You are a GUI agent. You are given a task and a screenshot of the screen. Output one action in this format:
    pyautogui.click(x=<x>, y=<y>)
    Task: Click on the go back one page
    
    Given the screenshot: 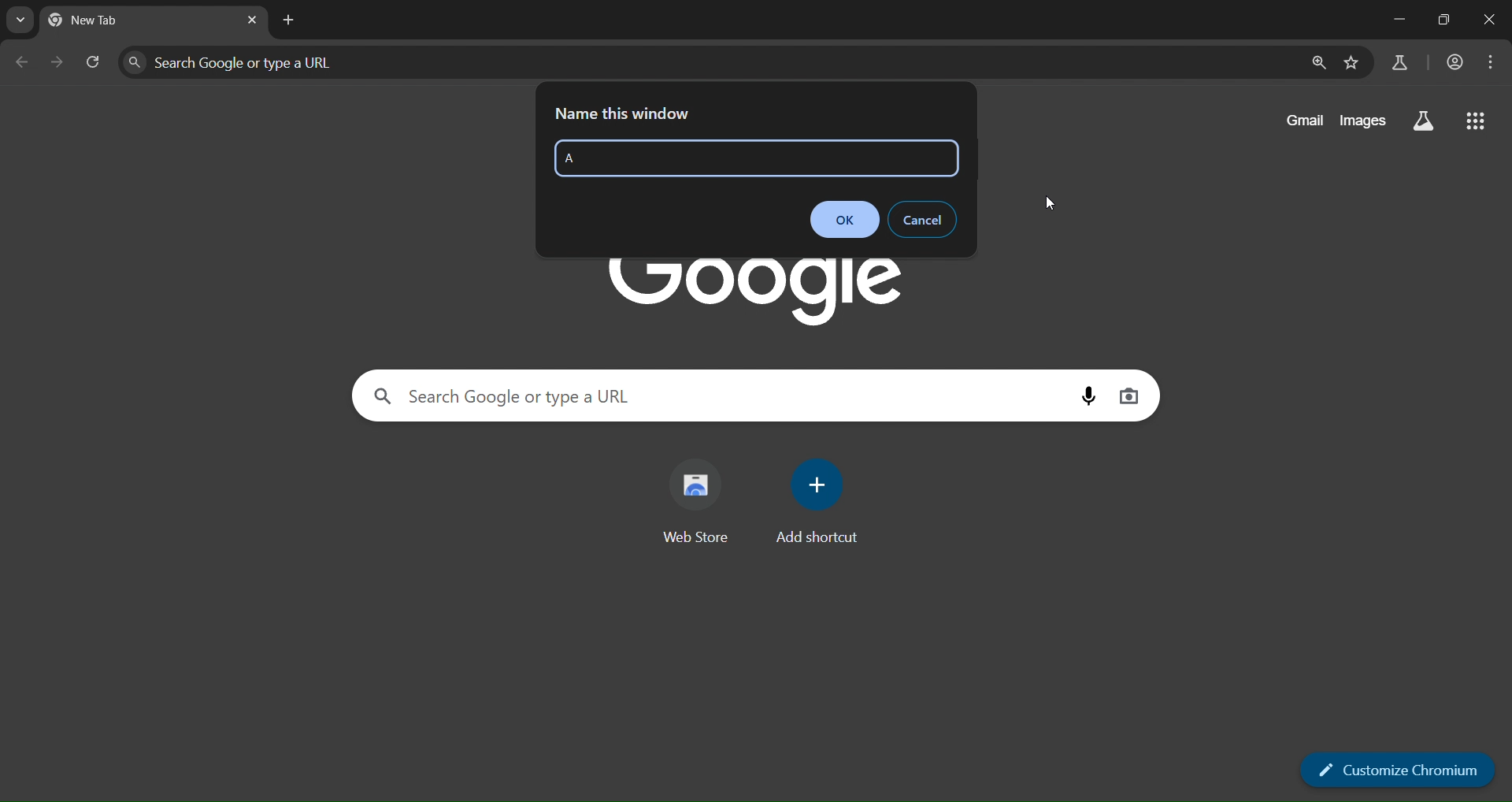 What is the action you would take?
    pyautogui.click(x=24, y=60)
    